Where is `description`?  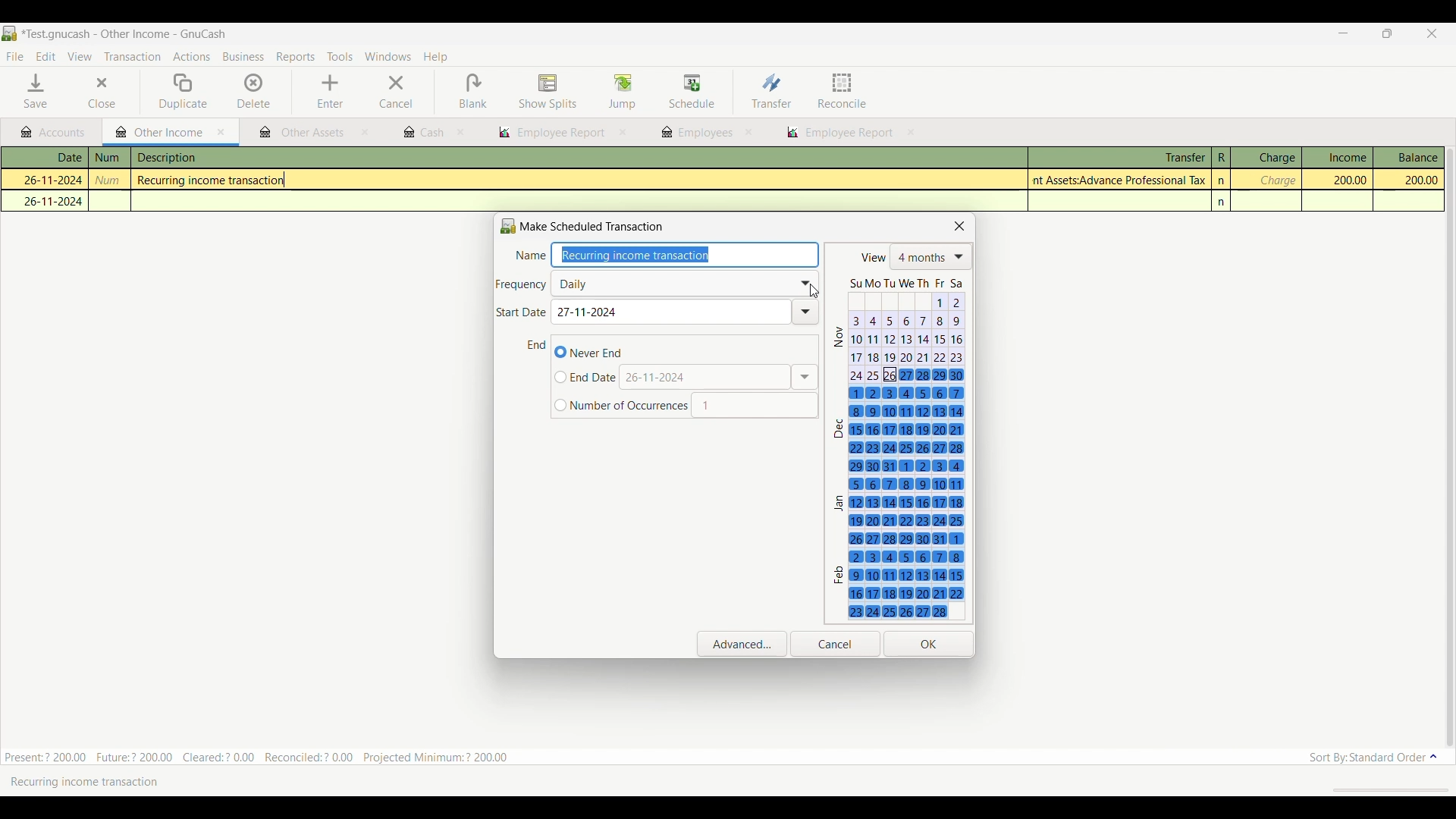
description is located at coordinates (245, 158).